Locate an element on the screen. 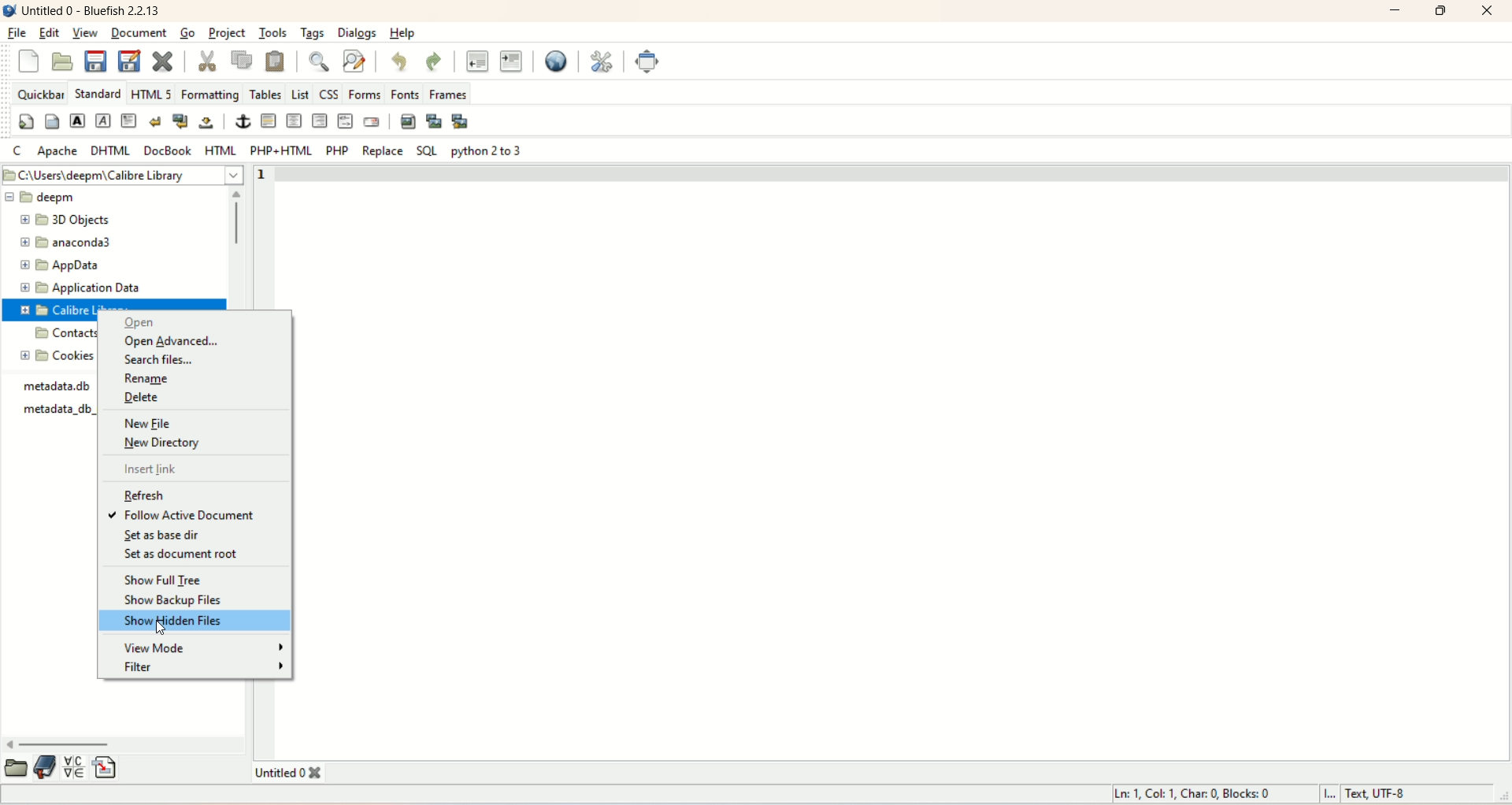 The width and height of the screenshot is (1512, 805). show full tree is located at coordinates (164, 581).